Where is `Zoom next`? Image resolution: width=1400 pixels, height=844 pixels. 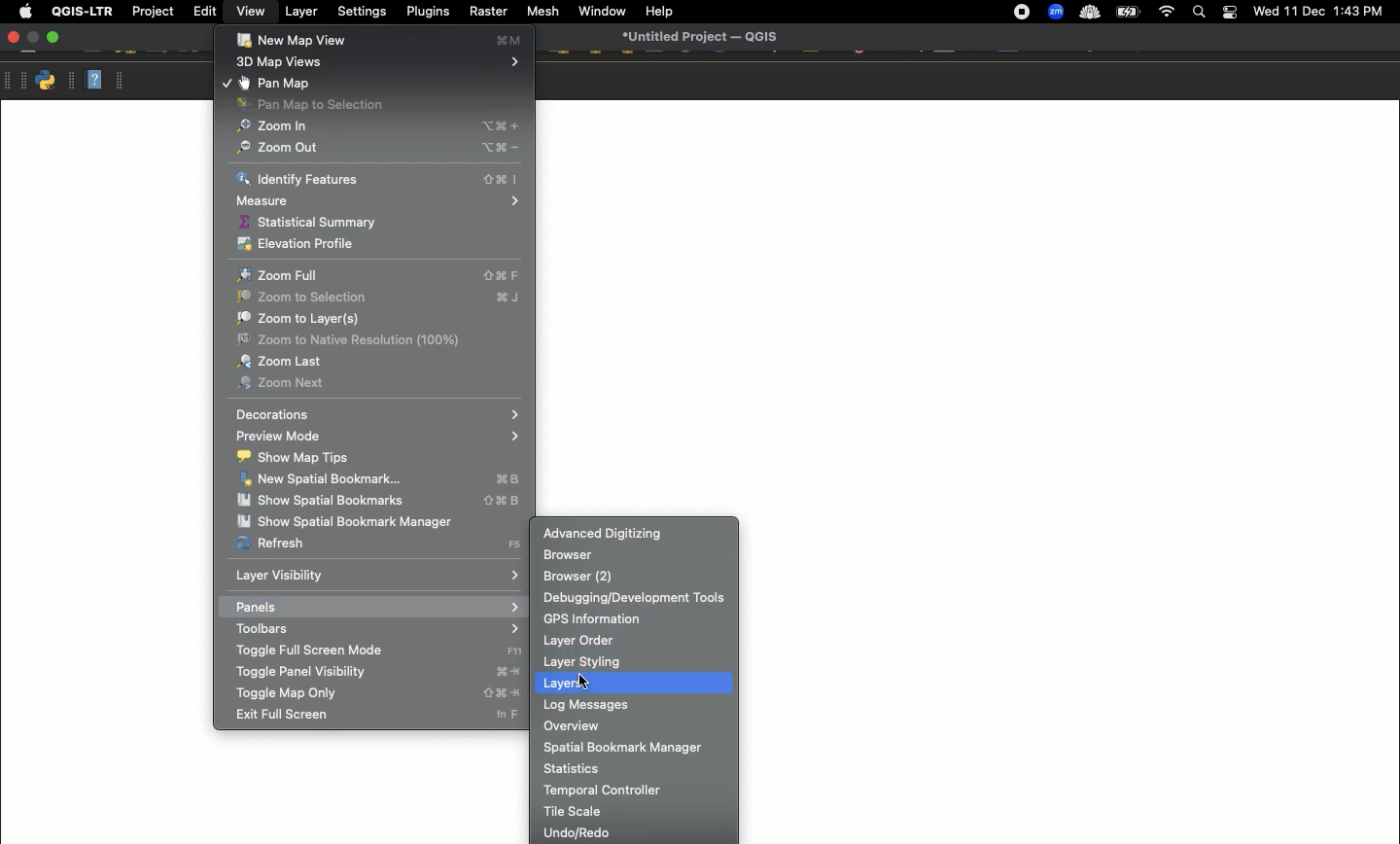
Zoom next is located at coordinates (380, 384).